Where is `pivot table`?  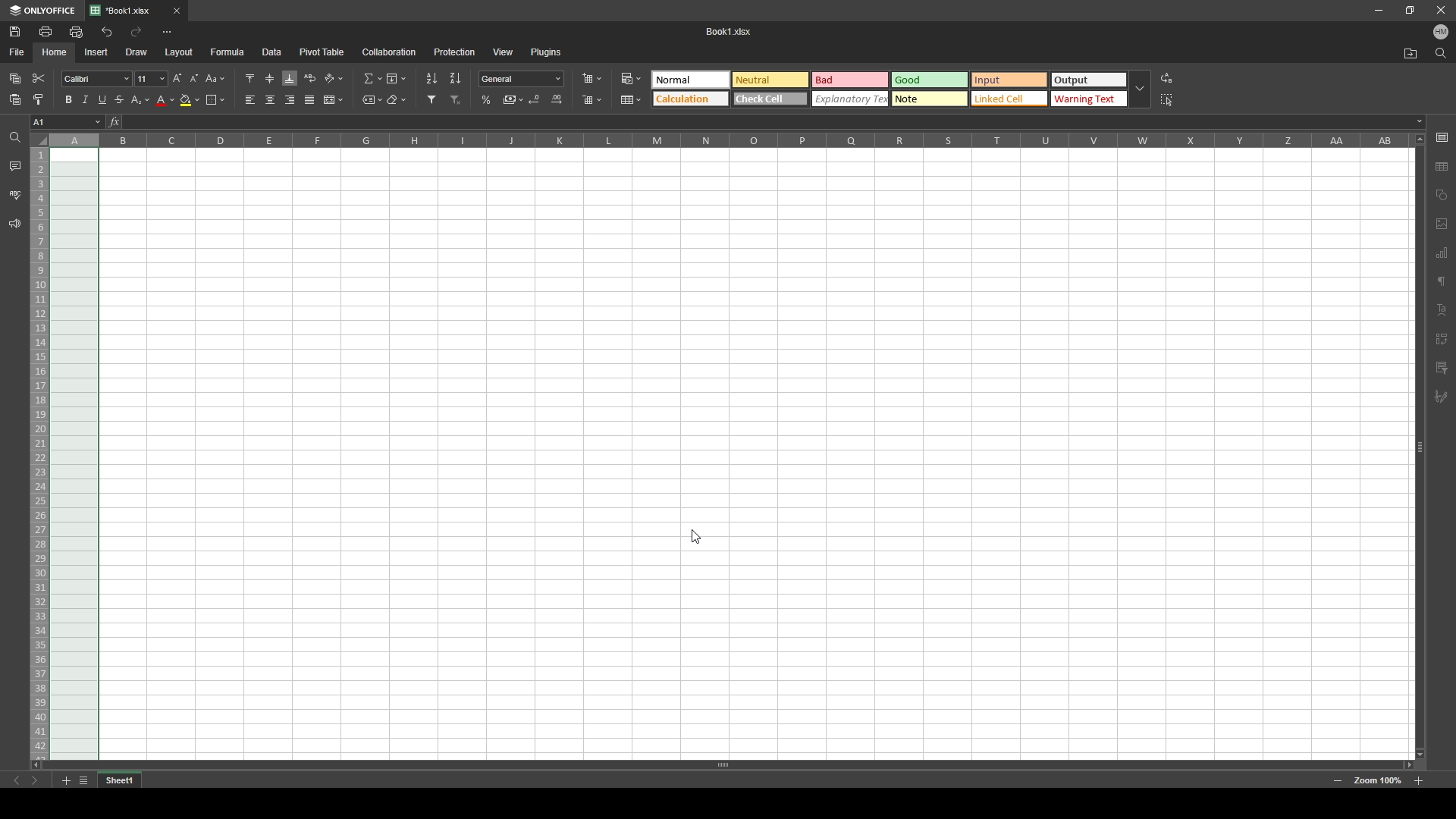
pivot table is located at coordinates (322, 51).